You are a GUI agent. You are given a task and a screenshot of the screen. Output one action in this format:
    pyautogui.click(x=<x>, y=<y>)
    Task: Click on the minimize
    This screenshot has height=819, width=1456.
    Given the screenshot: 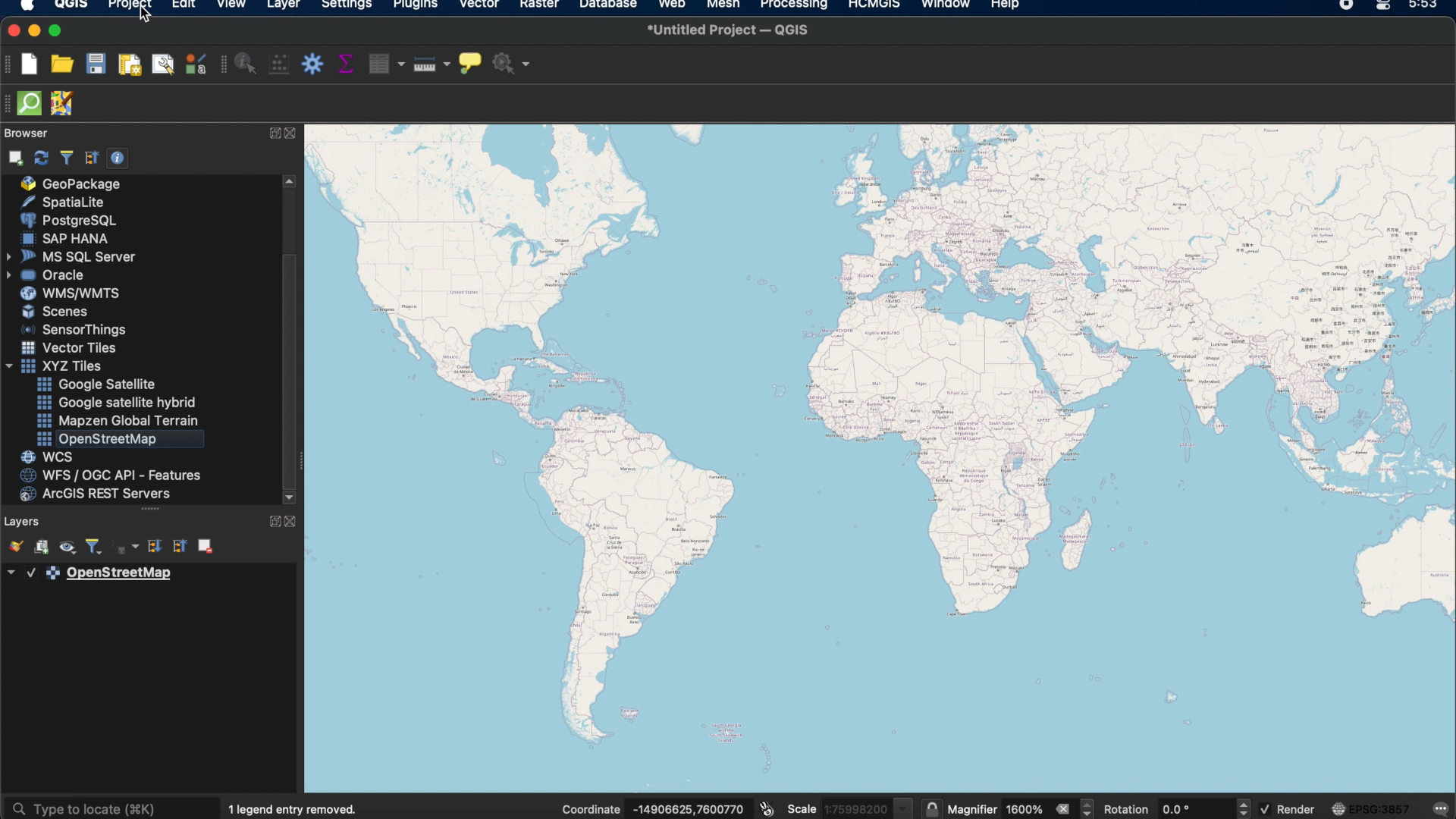 What is the action you would take?
    pyautogui.click(x=36, y=30)
    